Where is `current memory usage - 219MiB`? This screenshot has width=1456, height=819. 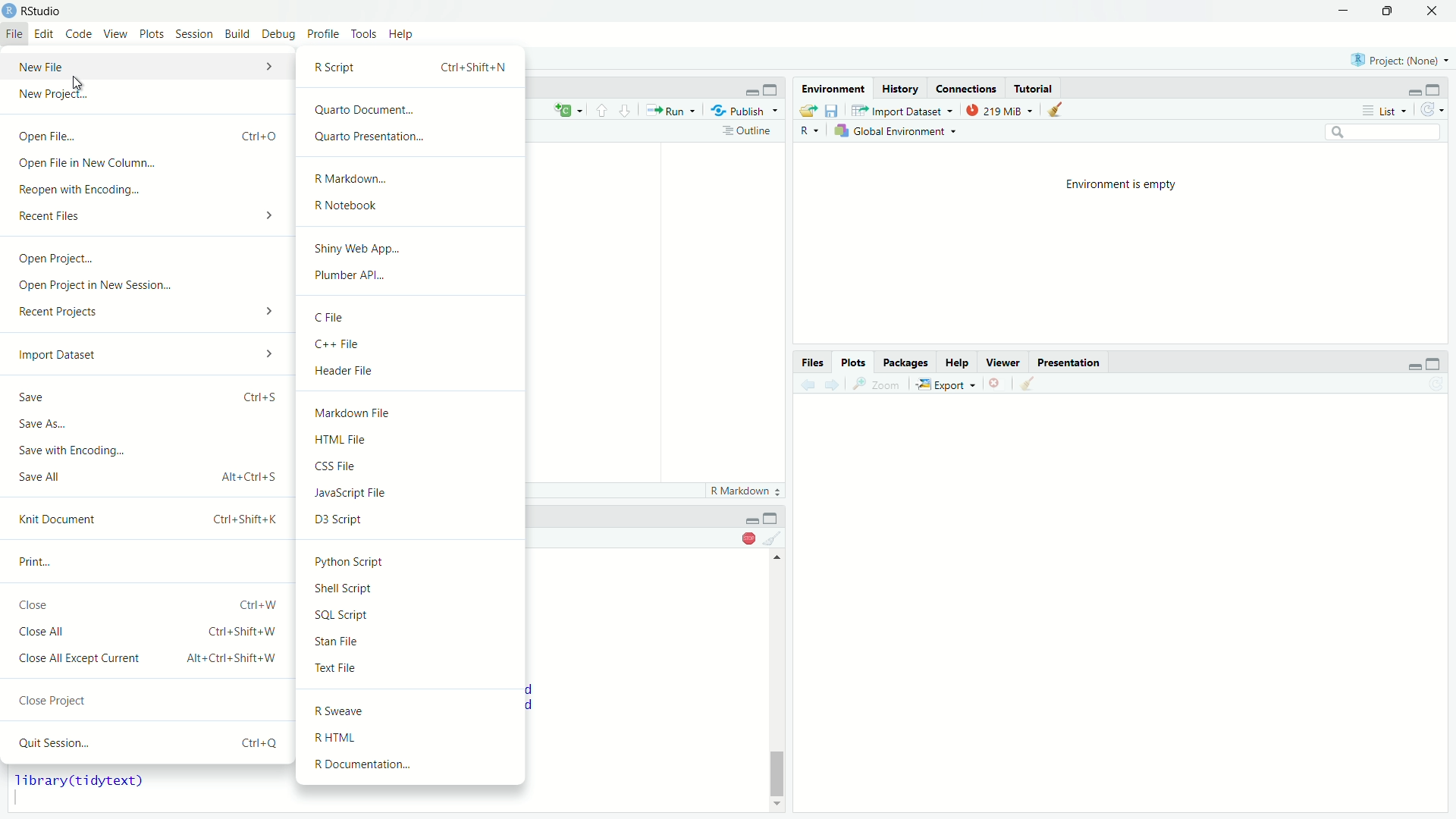 current memory usage - 219MiB is located at coordinates (1001, 111).